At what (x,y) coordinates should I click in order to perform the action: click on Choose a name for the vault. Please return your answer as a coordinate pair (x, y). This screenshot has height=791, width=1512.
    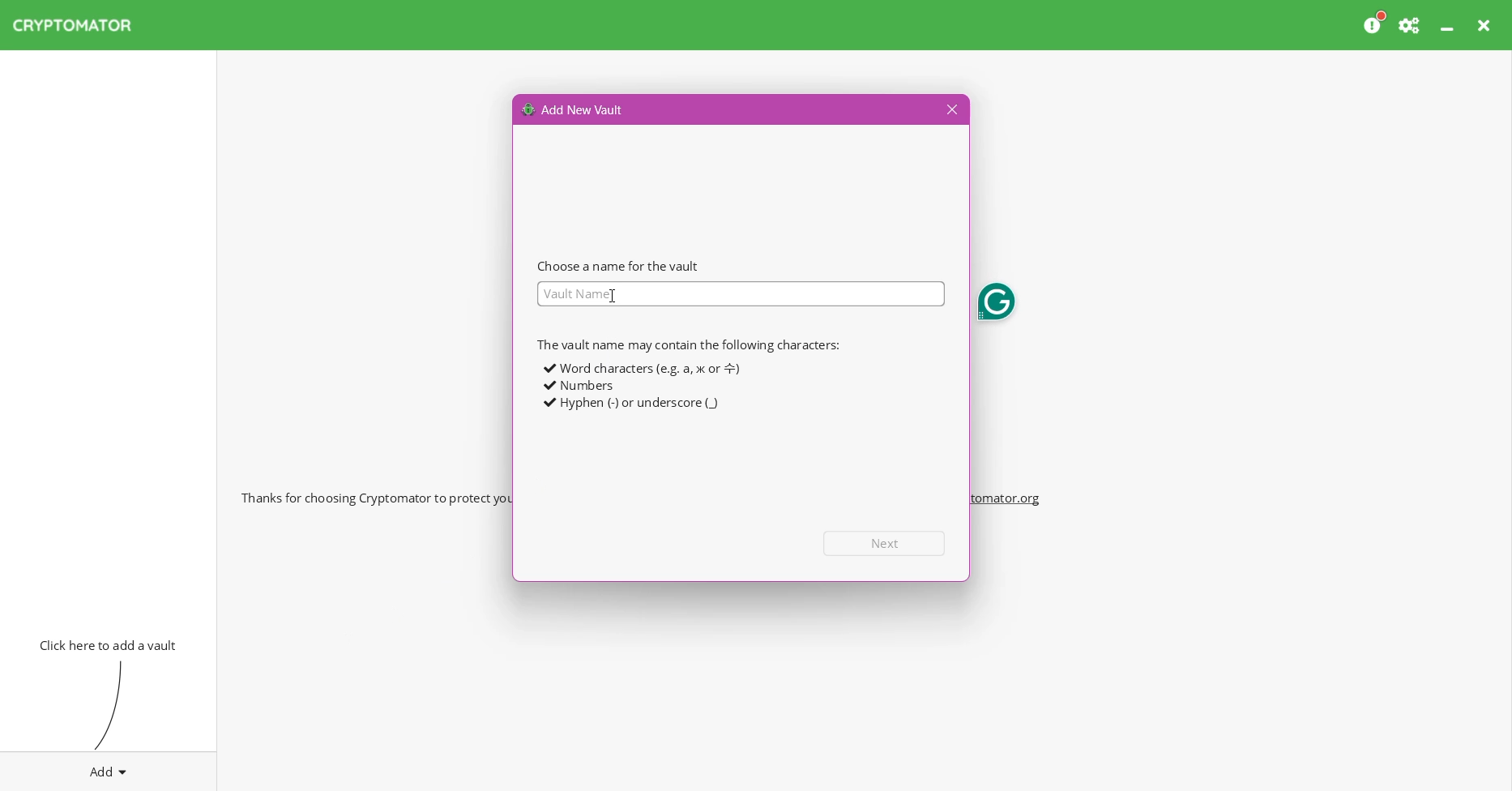
    Looking at the image, I should click on (618, 266).